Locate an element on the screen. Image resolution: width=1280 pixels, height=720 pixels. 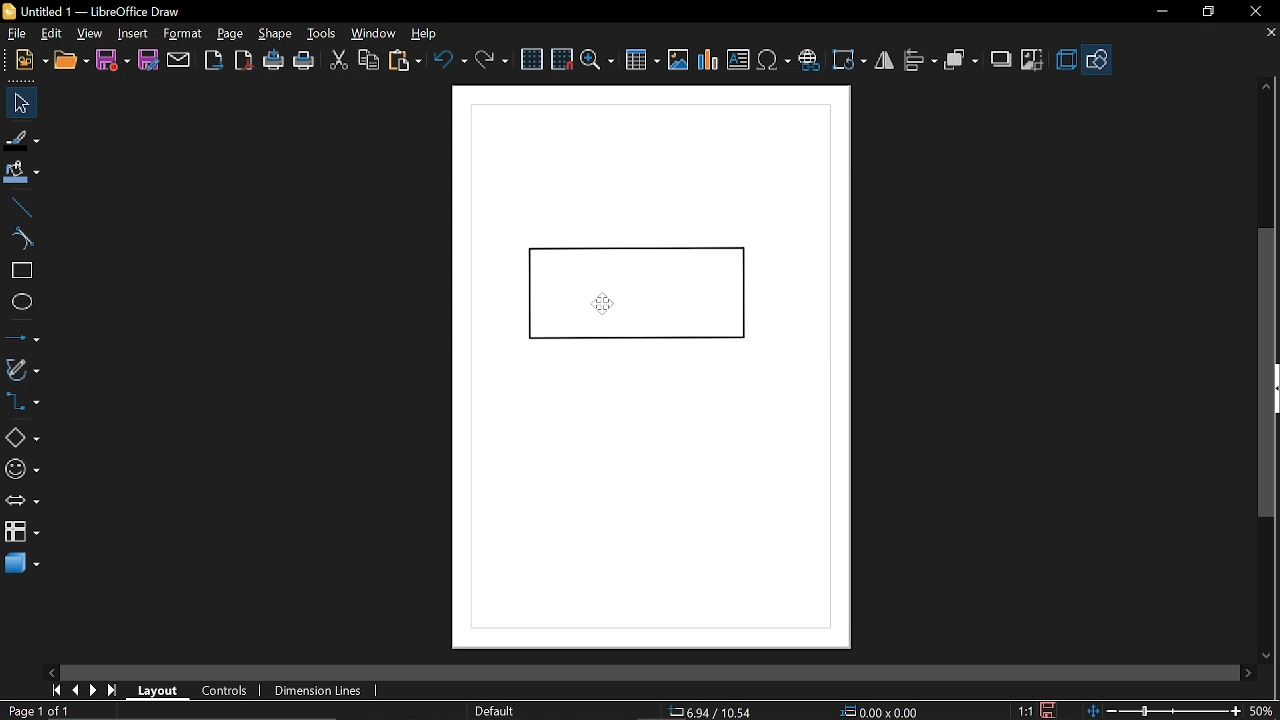
Transformation is located at coordinates (848, 62).